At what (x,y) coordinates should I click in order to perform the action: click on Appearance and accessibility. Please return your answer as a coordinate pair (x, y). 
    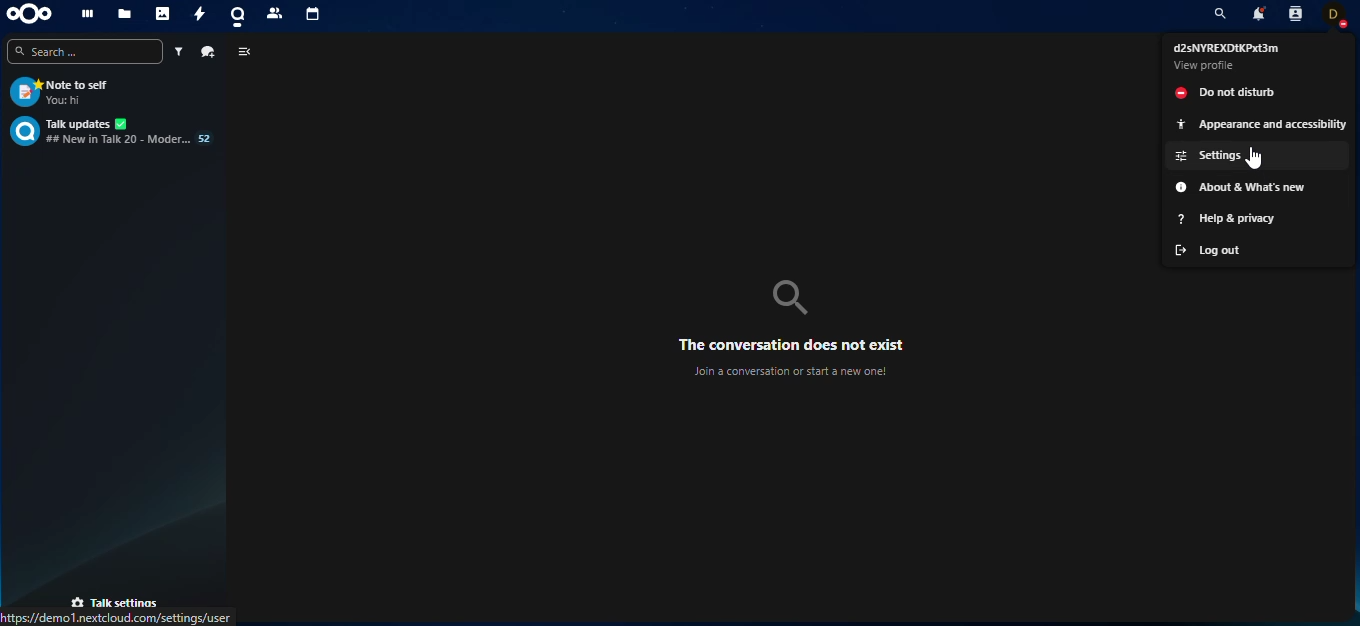
    Looking at the image, I should click on (1258, 124).